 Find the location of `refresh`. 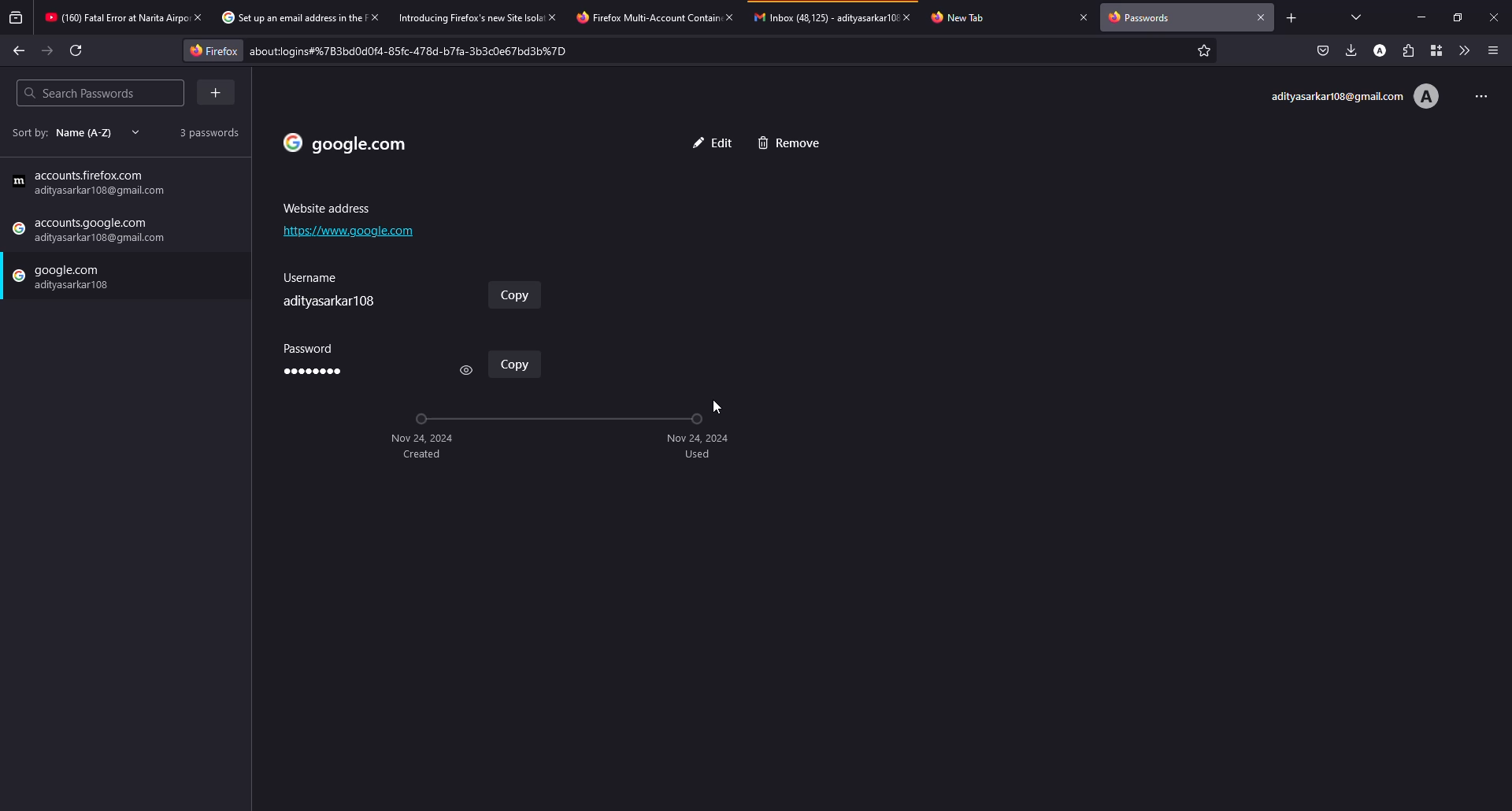

refresh is located at coordinates (77, 50).